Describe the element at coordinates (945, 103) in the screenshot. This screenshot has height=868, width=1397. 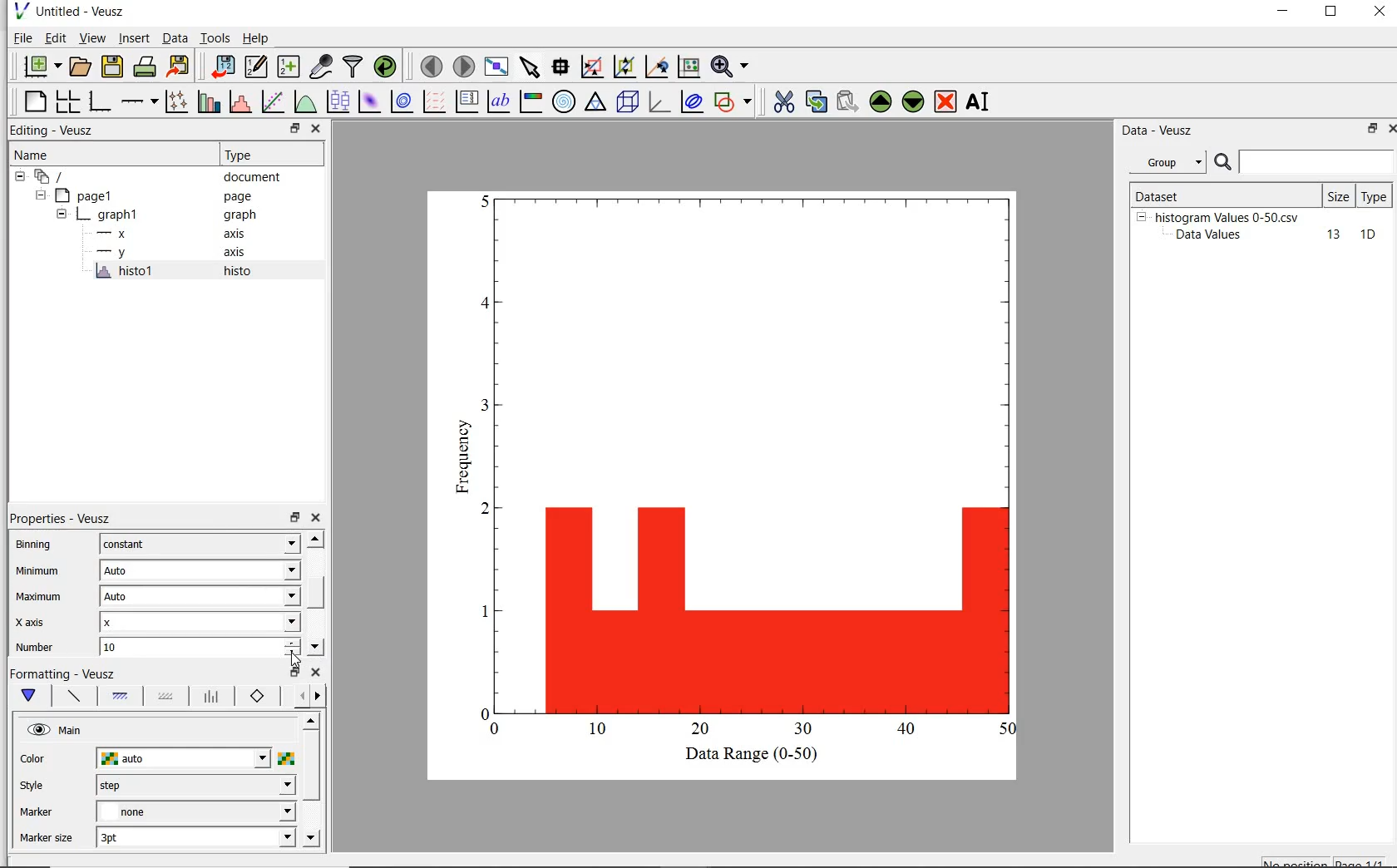
I see `remove the selected widget` at that location.